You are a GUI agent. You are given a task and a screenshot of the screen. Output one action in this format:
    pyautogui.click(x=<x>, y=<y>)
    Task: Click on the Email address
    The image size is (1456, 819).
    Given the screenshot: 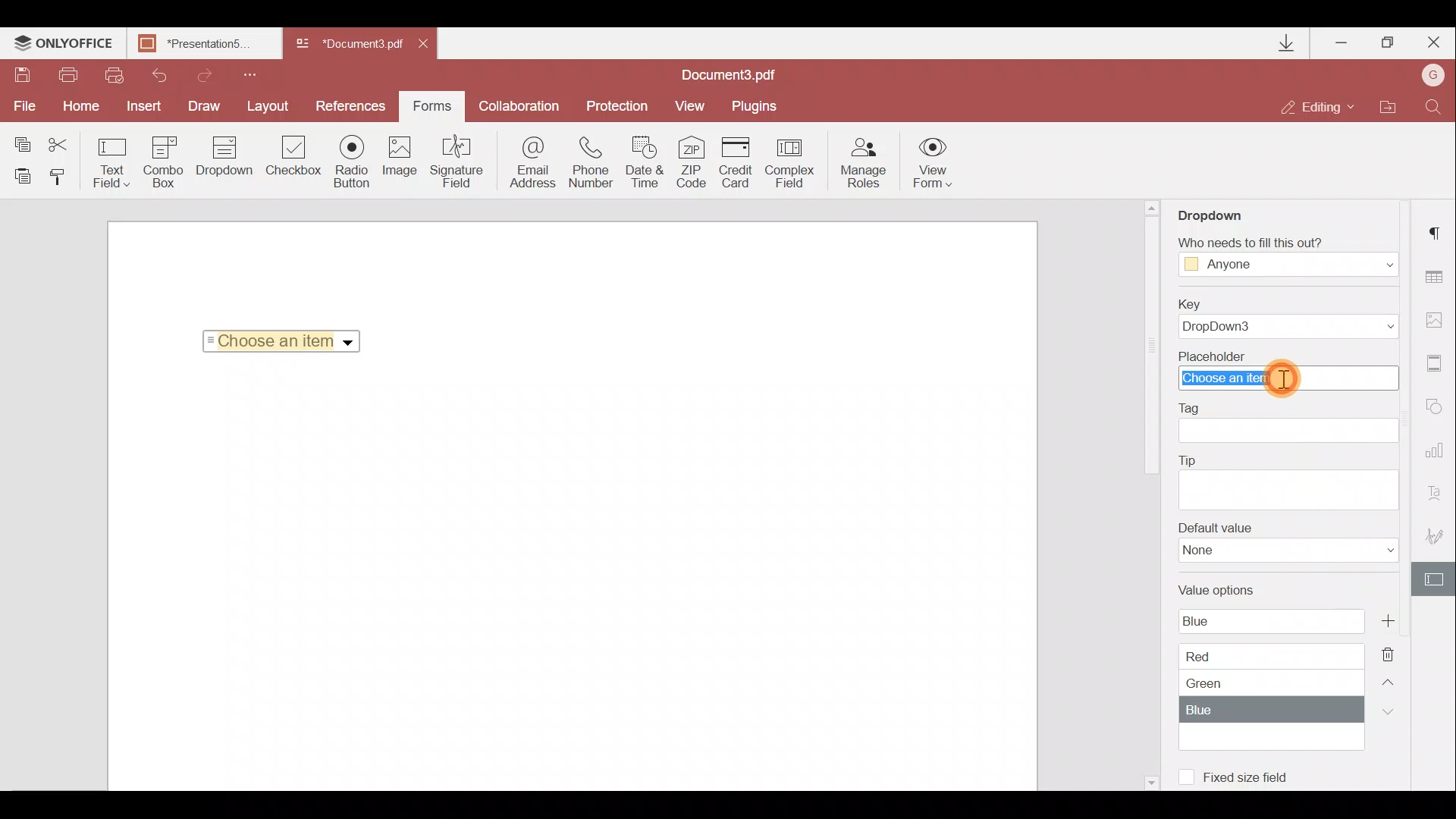 What is the action you would take?
    pyautogui.click(x=527, y=166)
    